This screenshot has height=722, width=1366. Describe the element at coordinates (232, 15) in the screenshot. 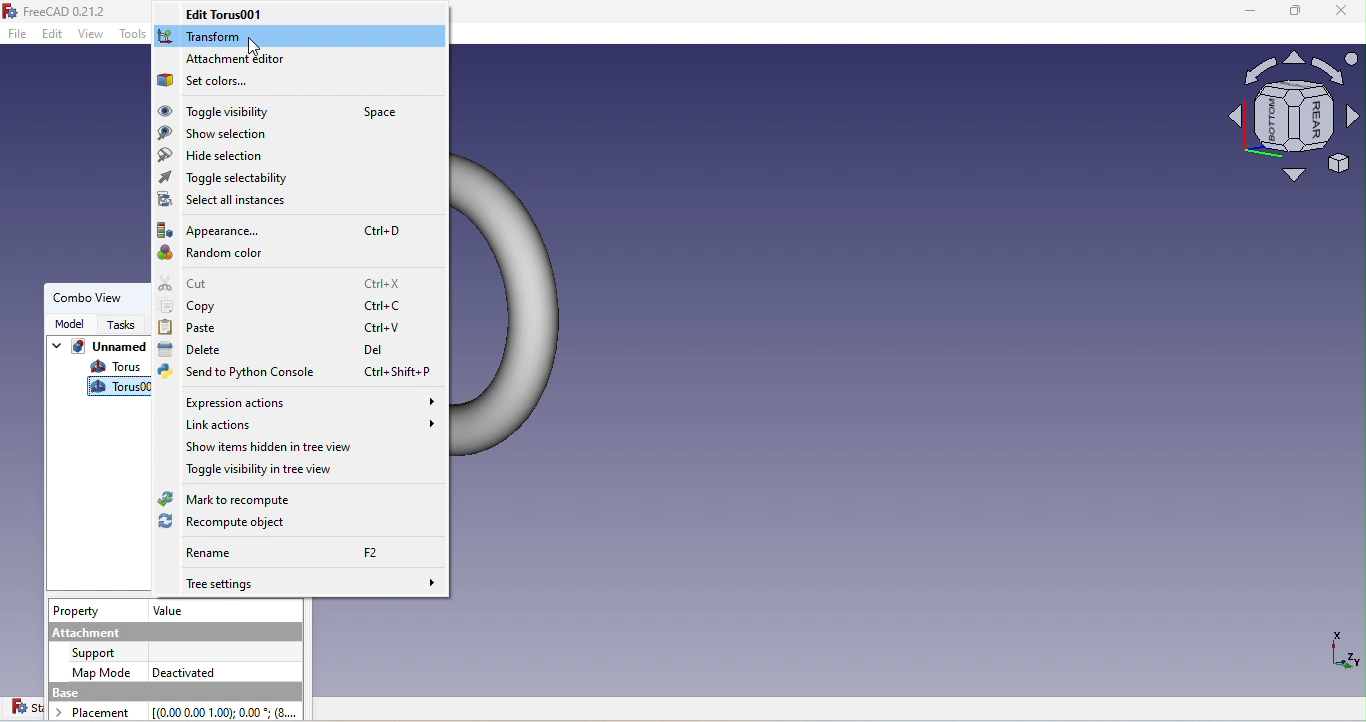

I see `Edit object` at that location.